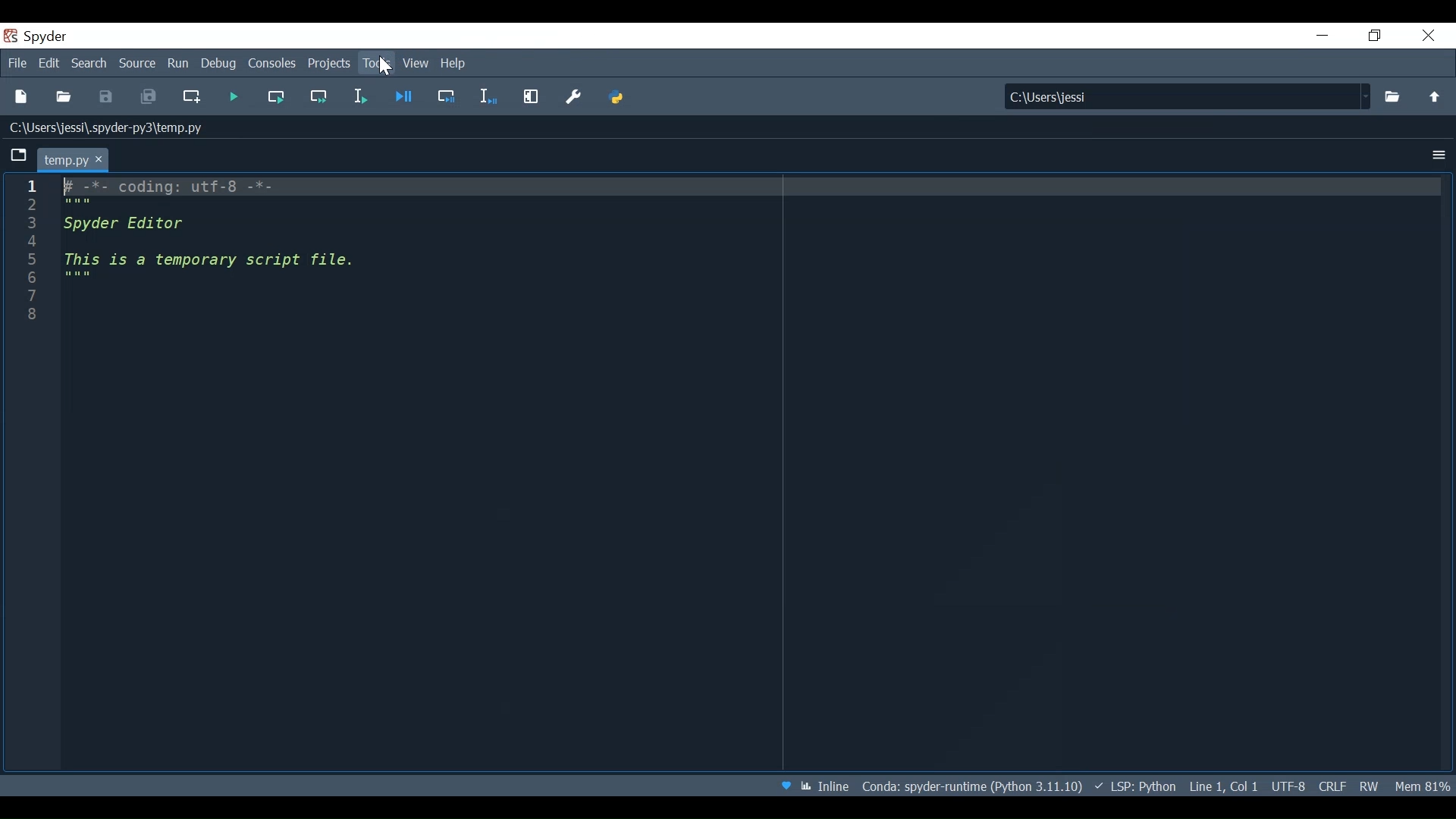  I want to click on Projects, so click(328, 64).